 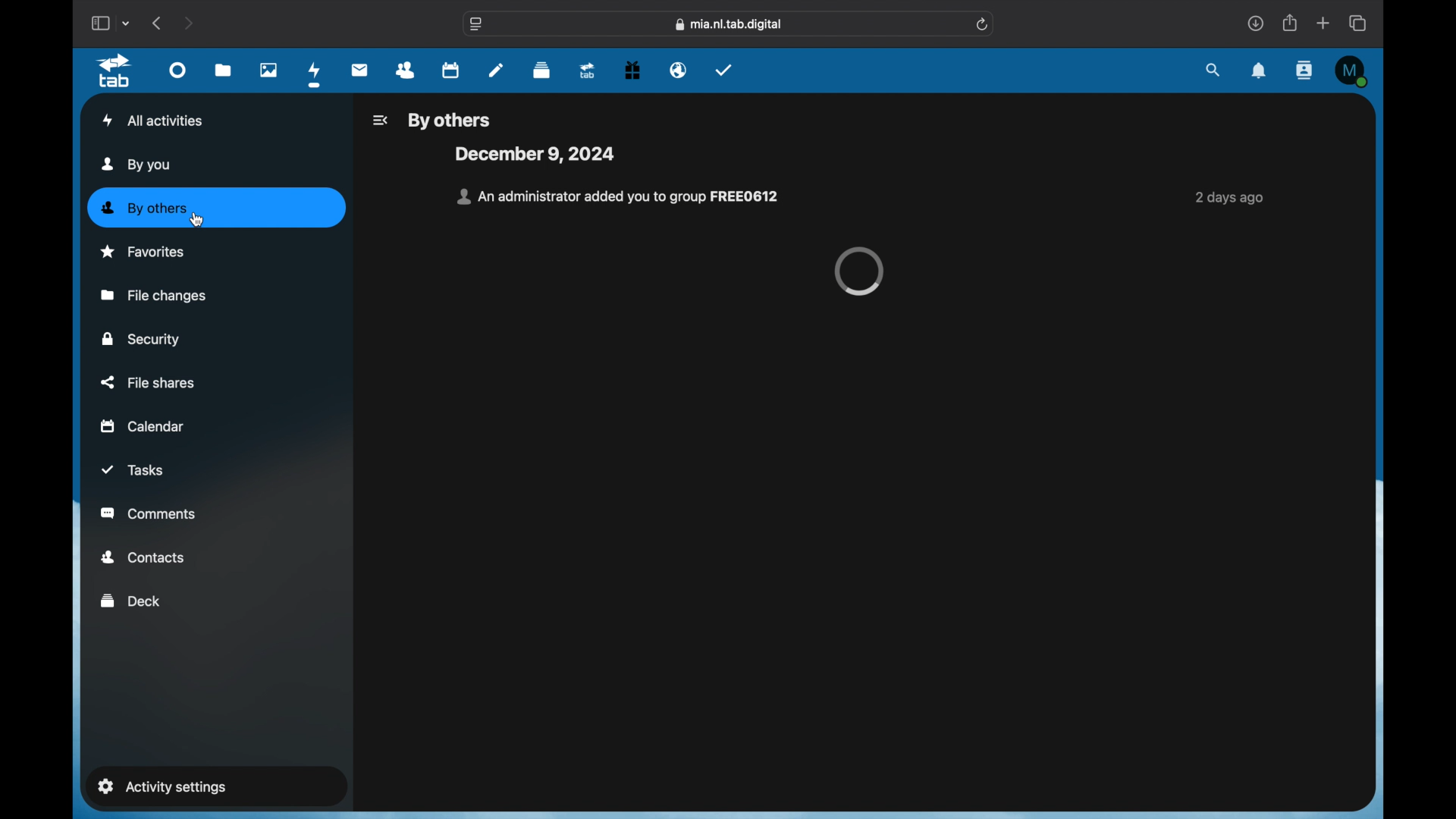 I want to click on file changes, so click(x=154, y=295).